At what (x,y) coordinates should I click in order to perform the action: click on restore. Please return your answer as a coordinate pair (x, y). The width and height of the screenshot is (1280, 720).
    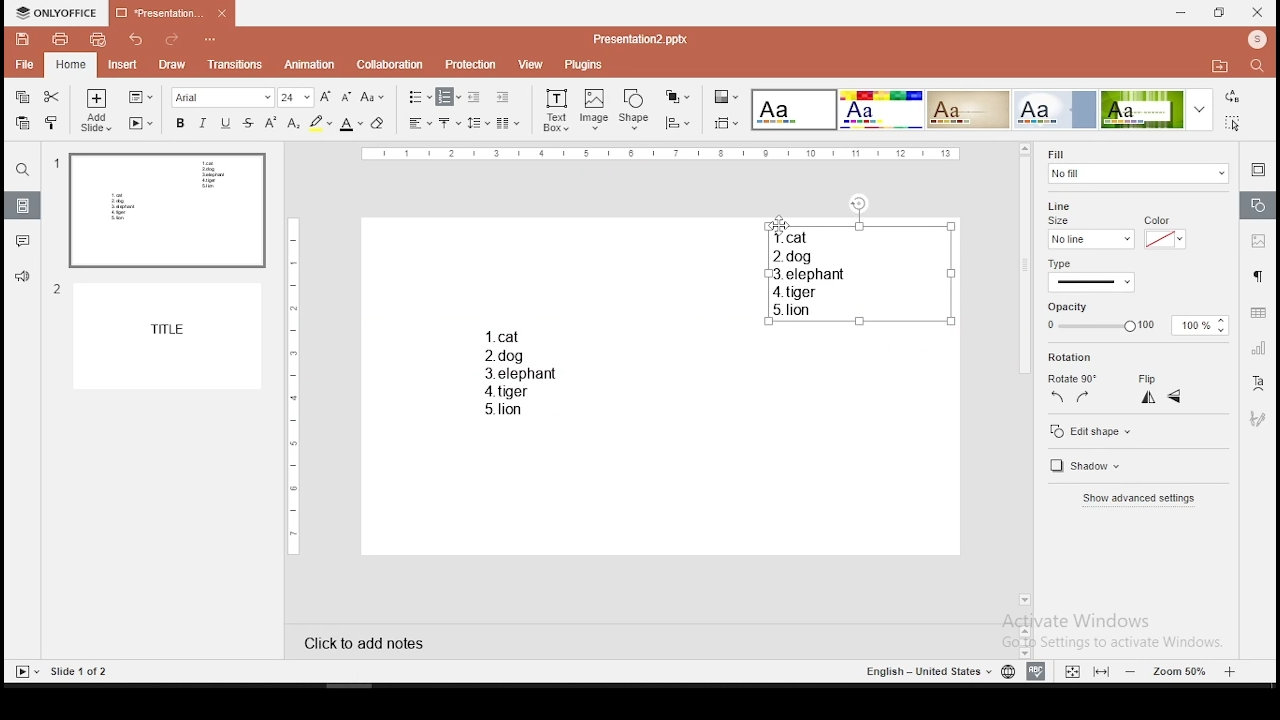
    Looking at the image, I should click on (1220, 13).